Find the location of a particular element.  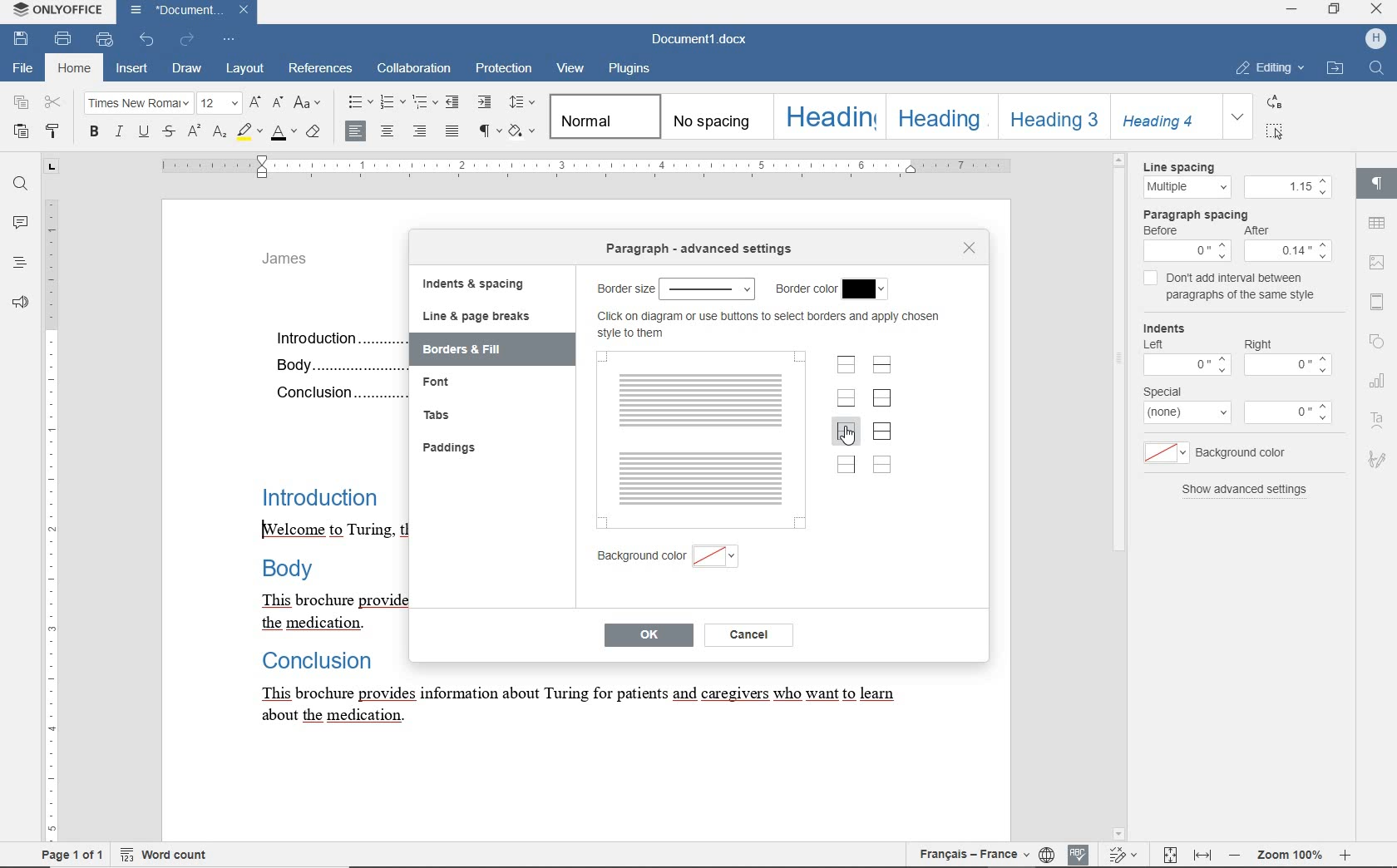

numbering is located at coordinates (392, 101).